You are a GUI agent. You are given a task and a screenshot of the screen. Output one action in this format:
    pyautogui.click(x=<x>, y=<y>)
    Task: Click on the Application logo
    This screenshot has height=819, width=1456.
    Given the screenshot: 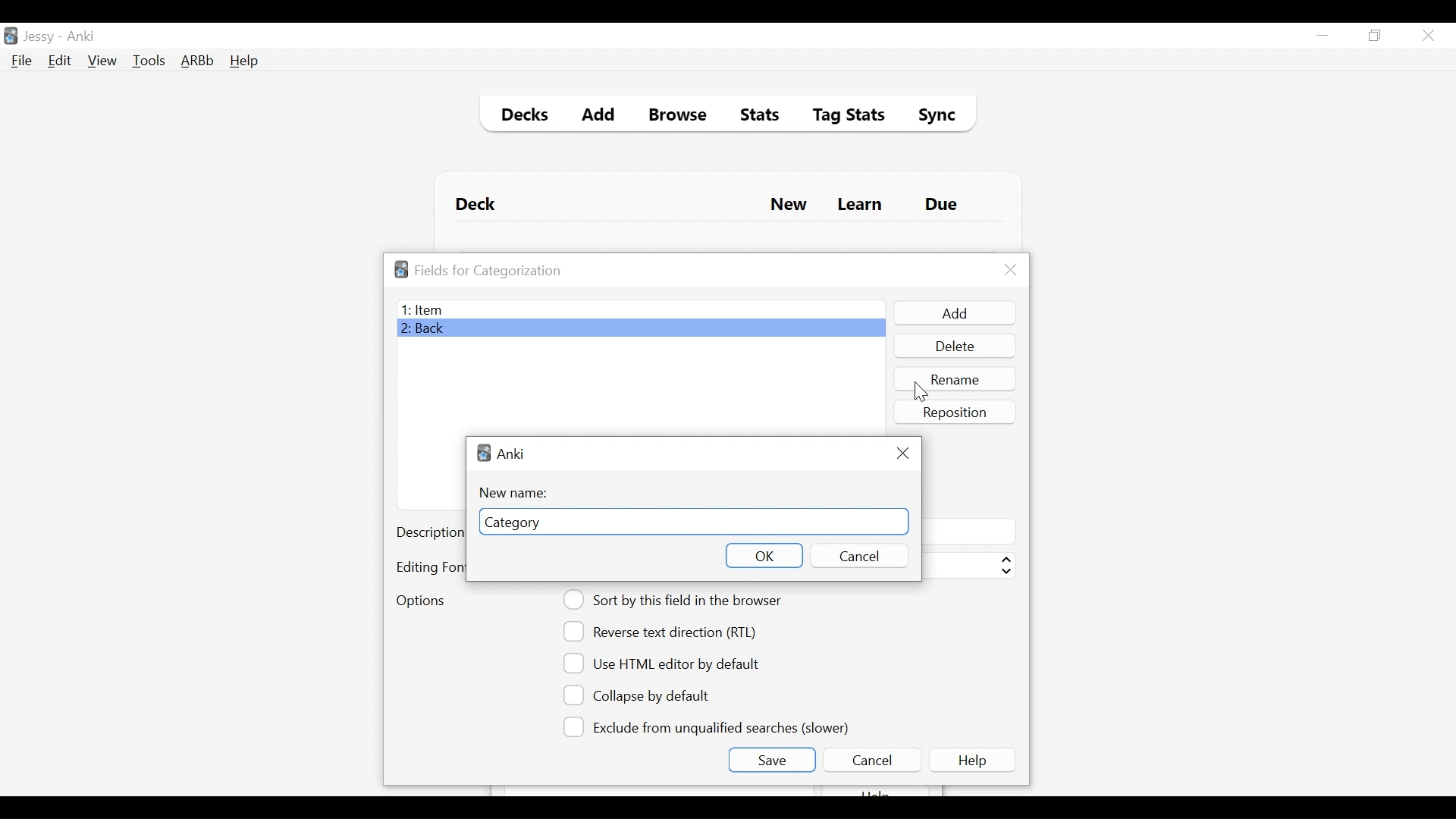 What is the action you would take?
    pyautogui.click(x=401, y=269)
    